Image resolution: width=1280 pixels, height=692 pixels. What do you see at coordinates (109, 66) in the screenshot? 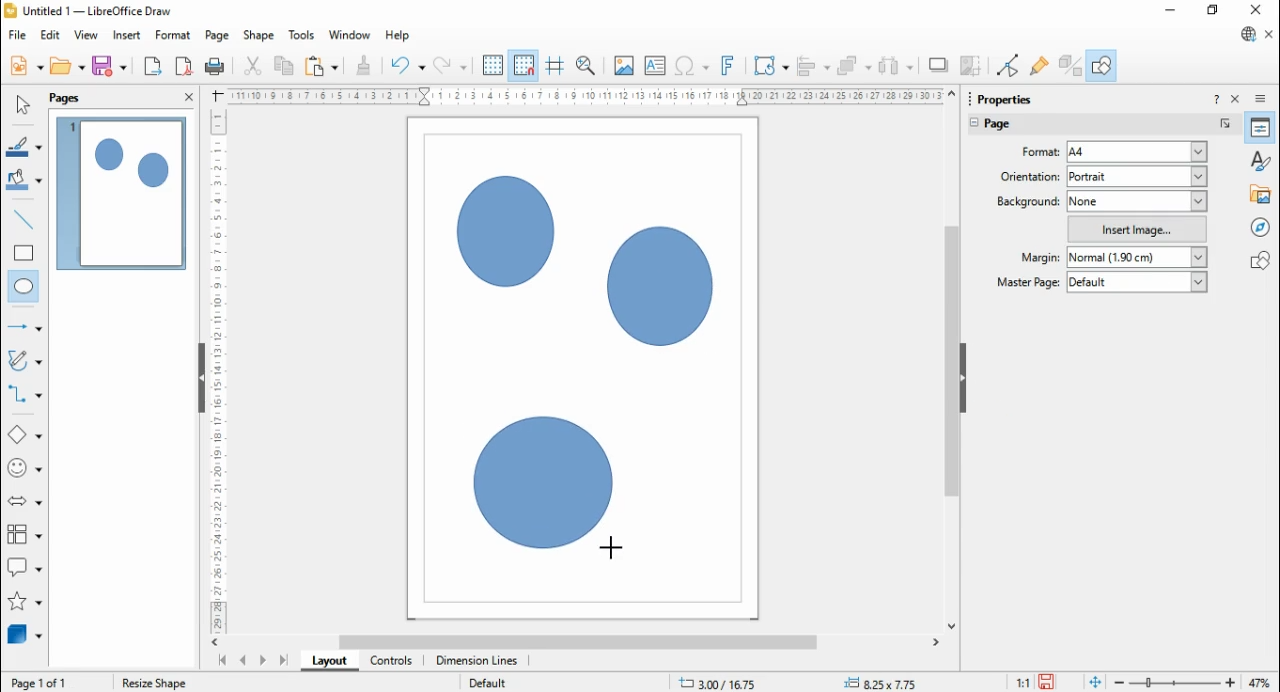
I see `save` at bounding box center [109, 66].